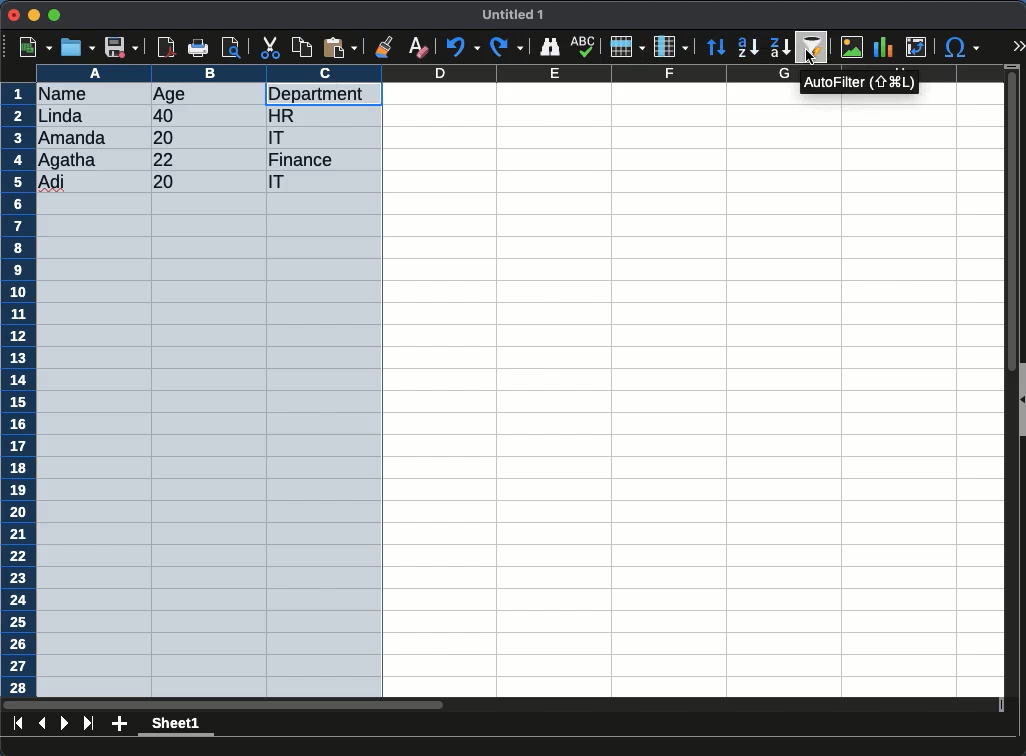 This screenshot has height=756, width=1026. Describe the element at coordinates (56, 14) in the screenshot. I see `maximize` at that location.